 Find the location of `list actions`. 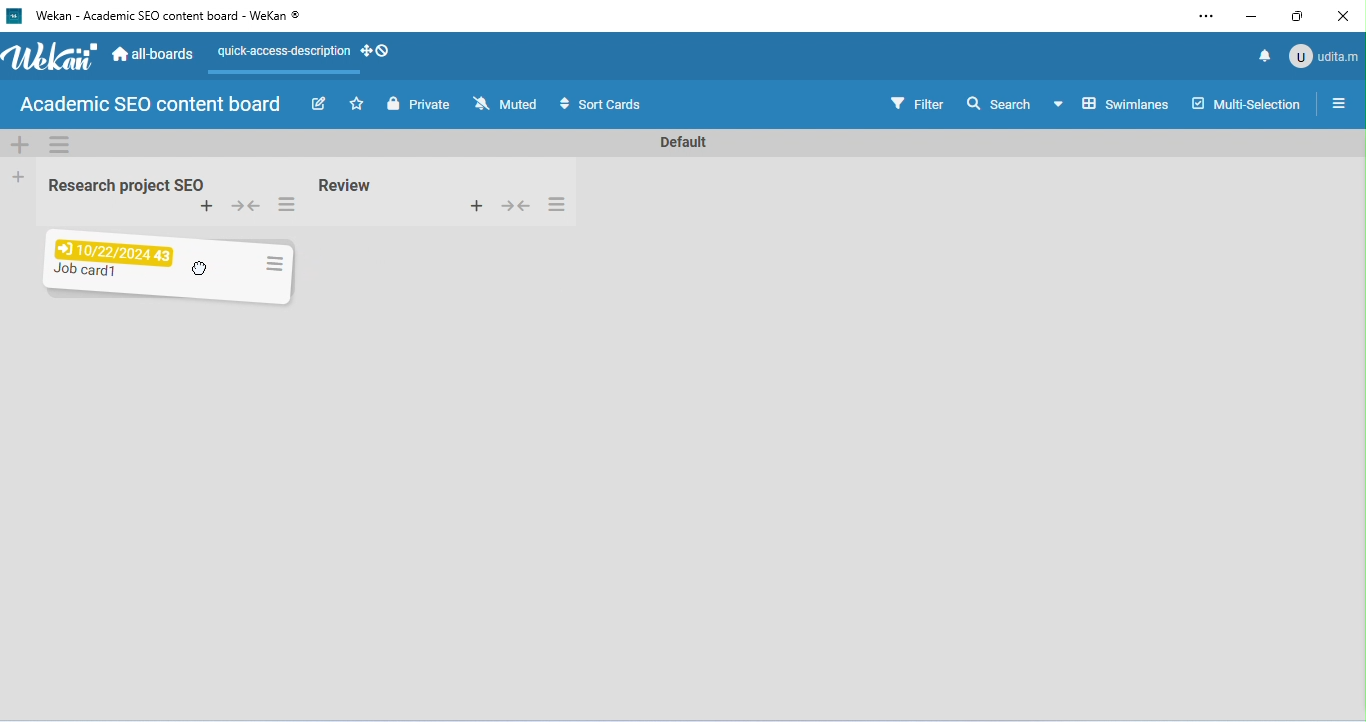

list actions is located at coordinates (557, 204).